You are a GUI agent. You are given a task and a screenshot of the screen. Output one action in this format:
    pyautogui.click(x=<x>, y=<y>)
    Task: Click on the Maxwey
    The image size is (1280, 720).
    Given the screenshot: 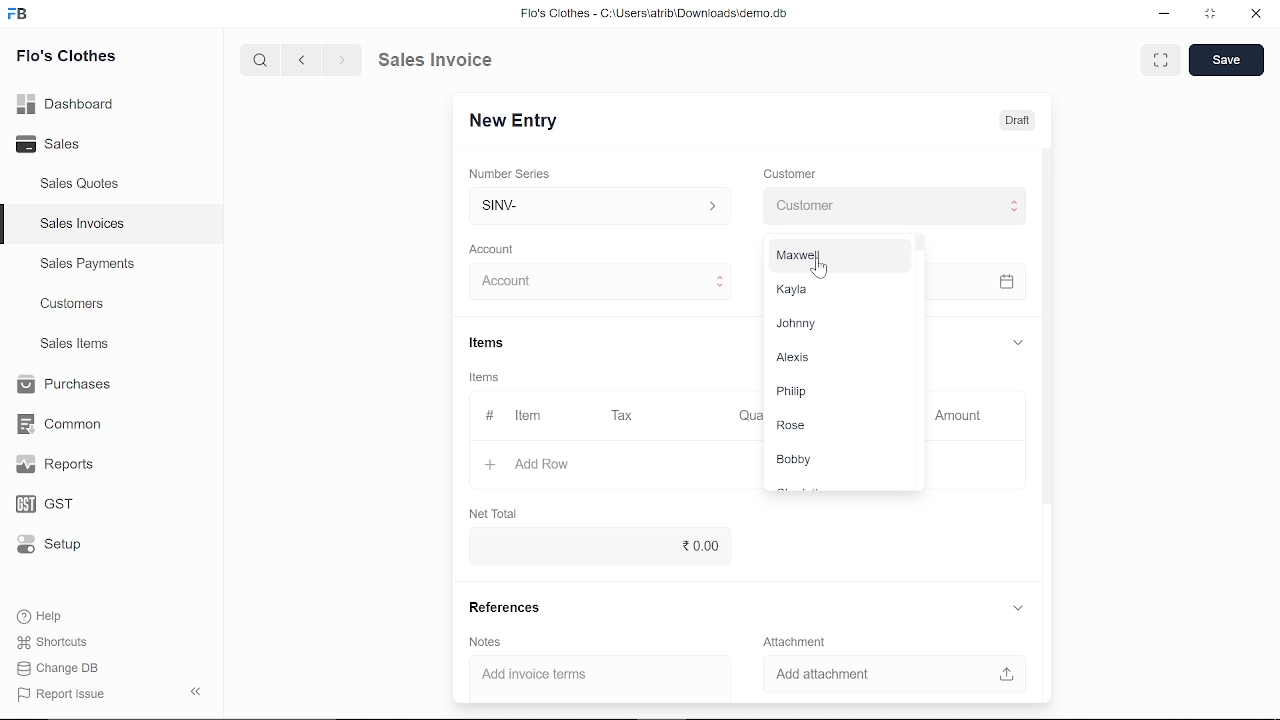 What is the action you would take?
    pyautogui.click(x=830, y=259)
    